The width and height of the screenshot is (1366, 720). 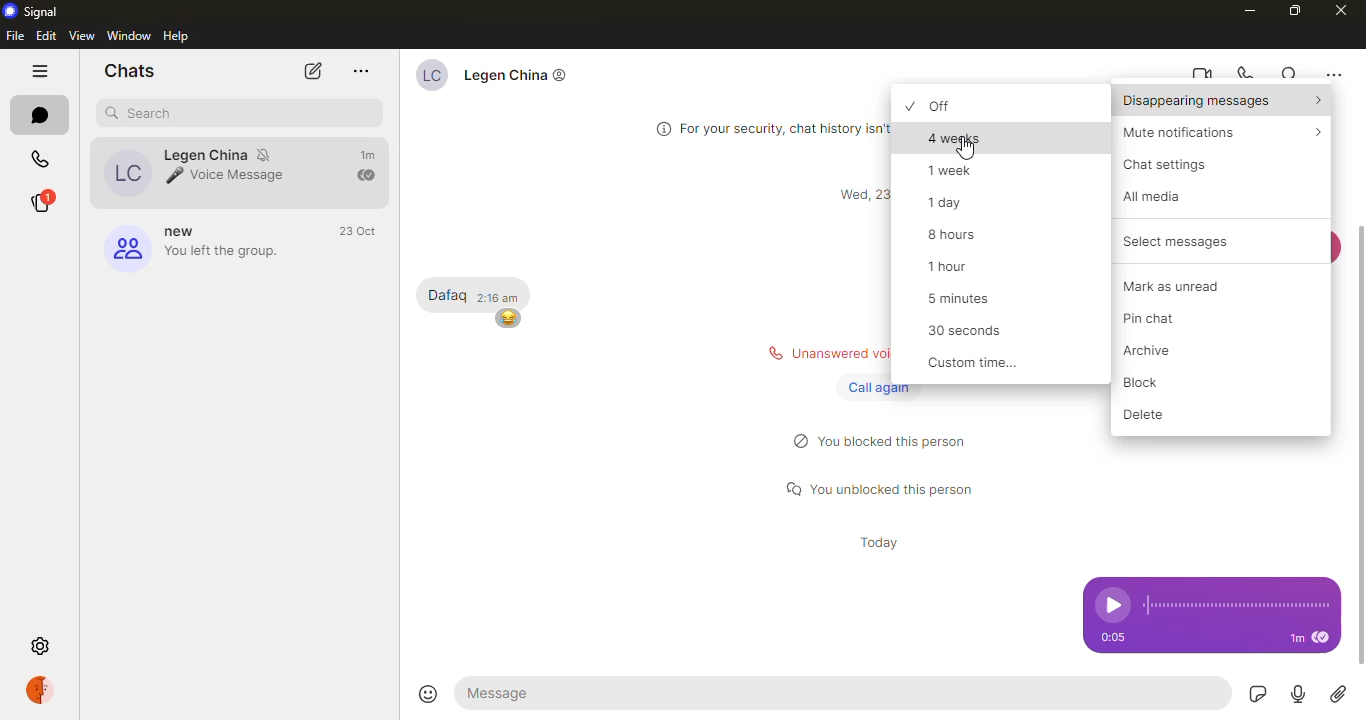 What do you see at coordinates (1201, 74) in the screenshot?
I see `video call` at bounding box center [1201, 74].